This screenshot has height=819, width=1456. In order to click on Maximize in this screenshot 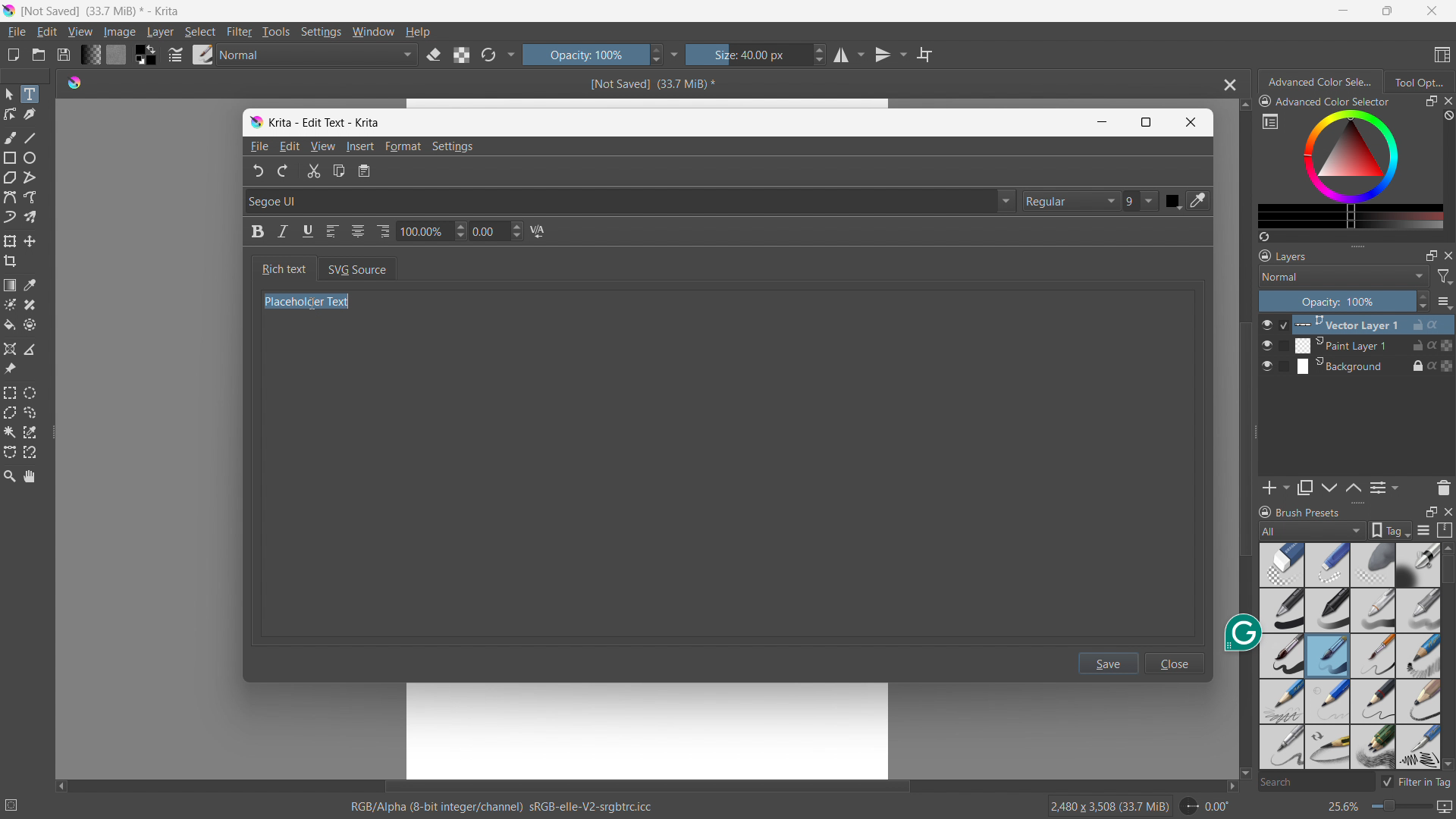, I will do `click(1147, 122)`.